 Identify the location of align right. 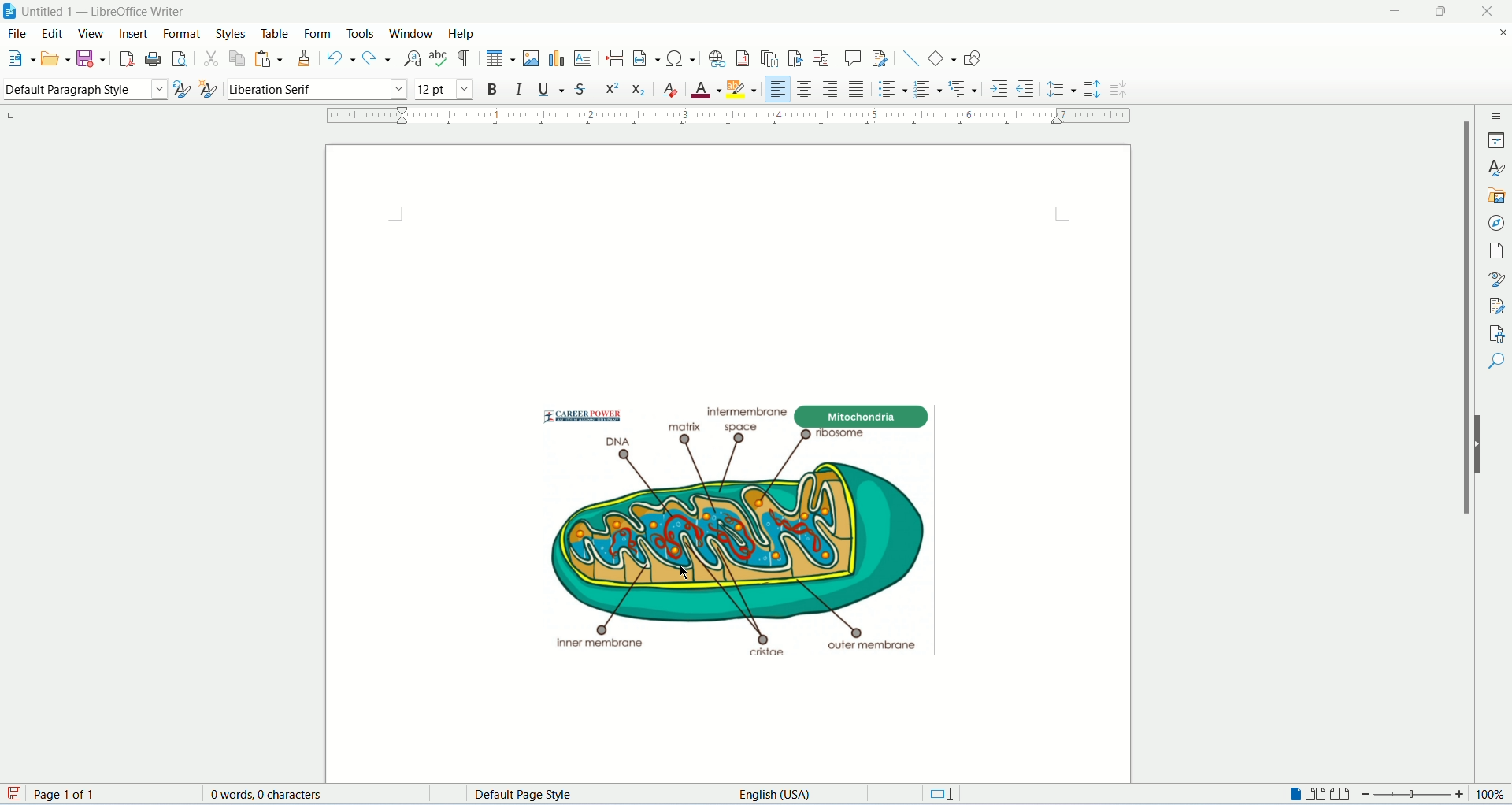
(832, 88).